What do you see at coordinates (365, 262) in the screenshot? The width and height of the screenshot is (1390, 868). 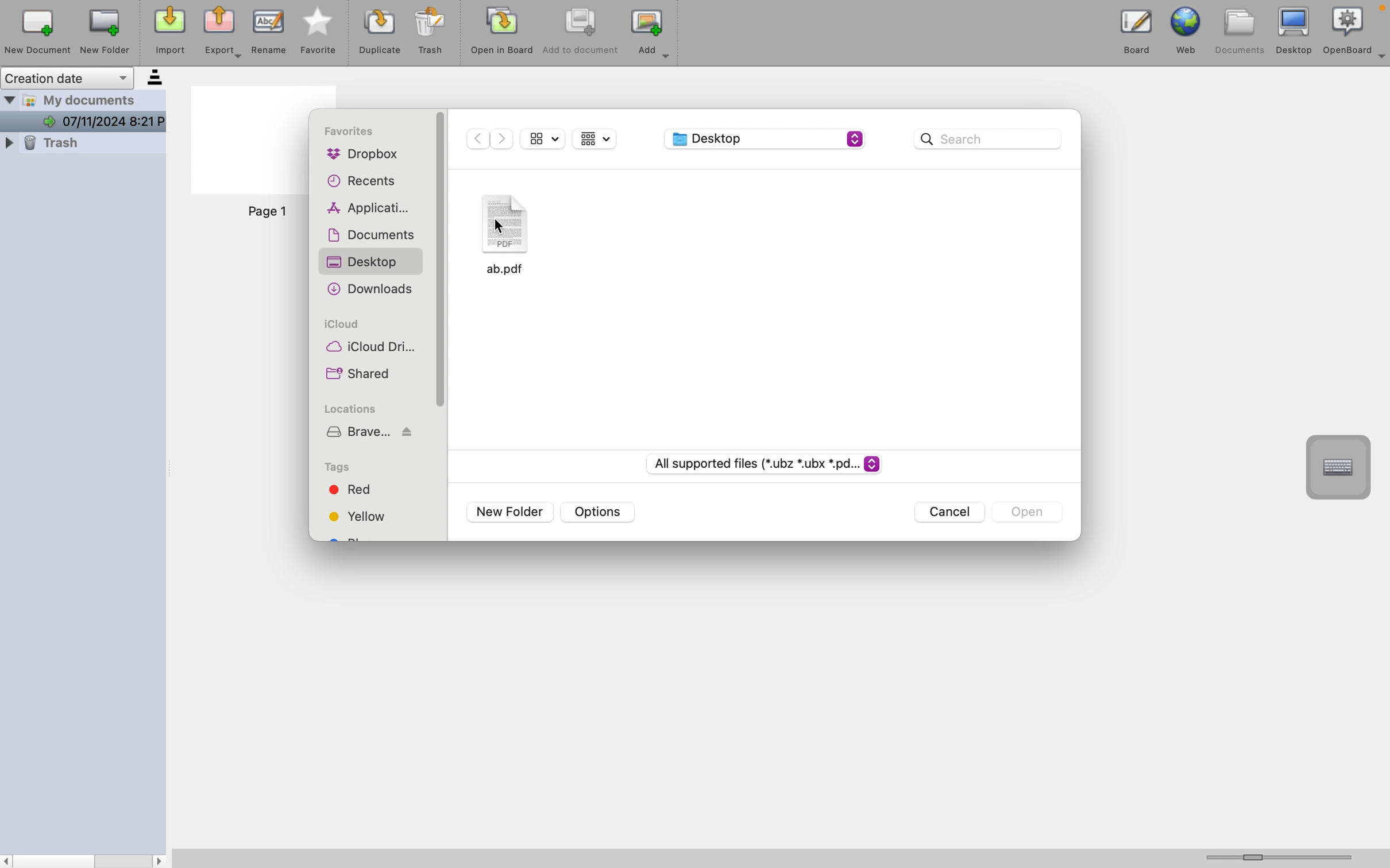 I see `desktop` at bounding box center [365, 262].